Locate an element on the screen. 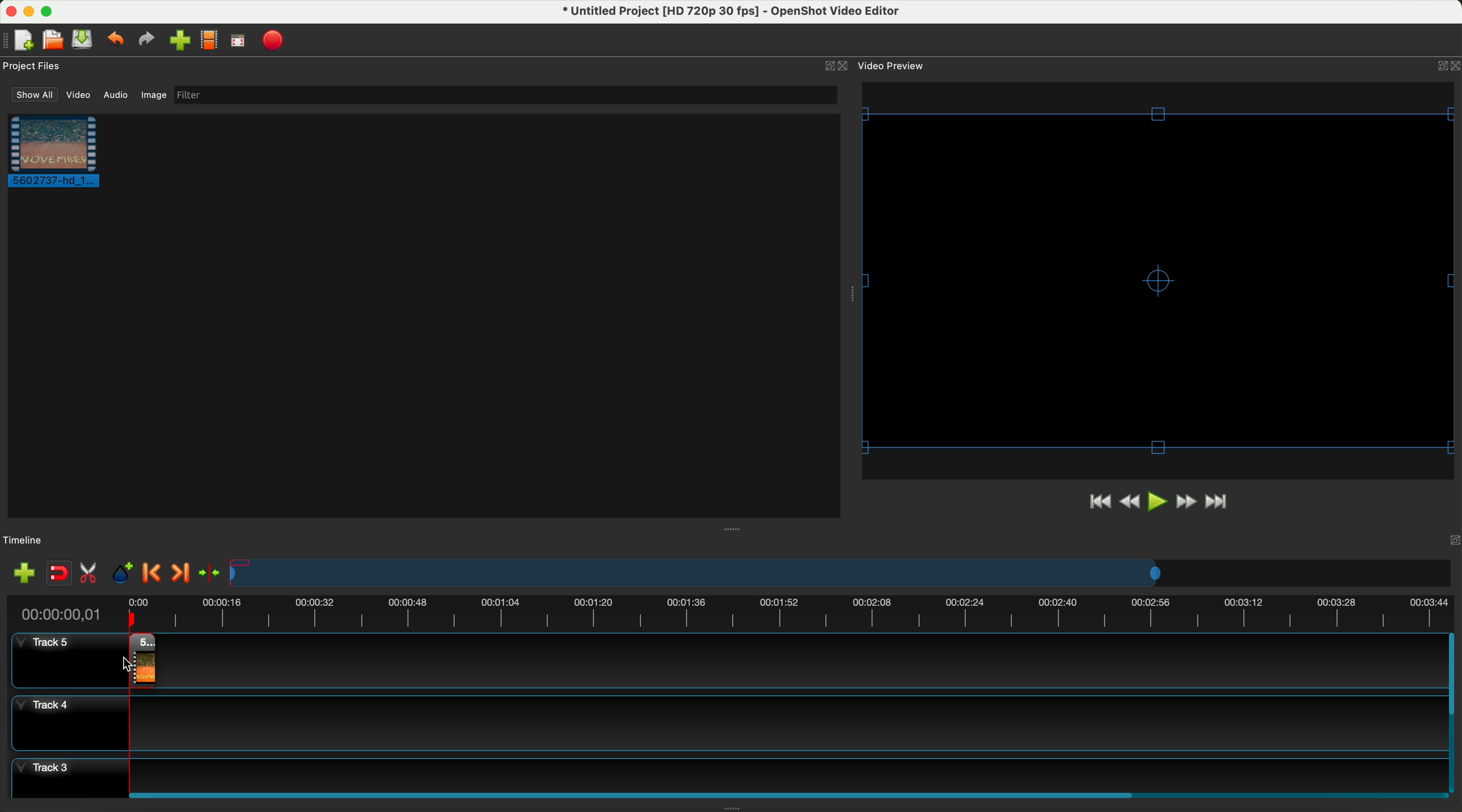 The height and width of the screenshot is (812, 1462). jump to end is located at coordinates (1224, 503).